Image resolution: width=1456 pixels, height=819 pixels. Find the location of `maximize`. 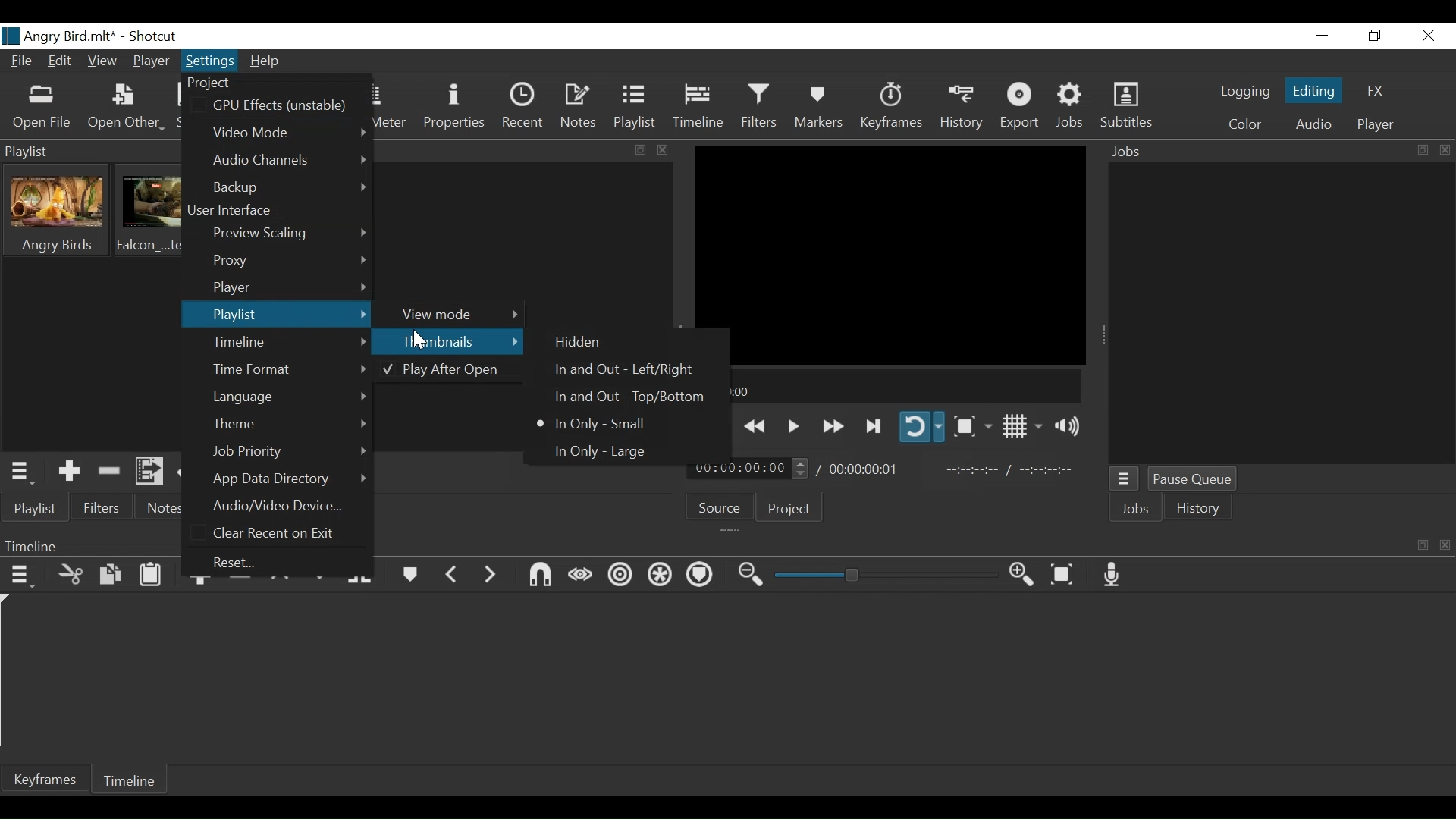

maximize is located at coordinates (1422, 544).